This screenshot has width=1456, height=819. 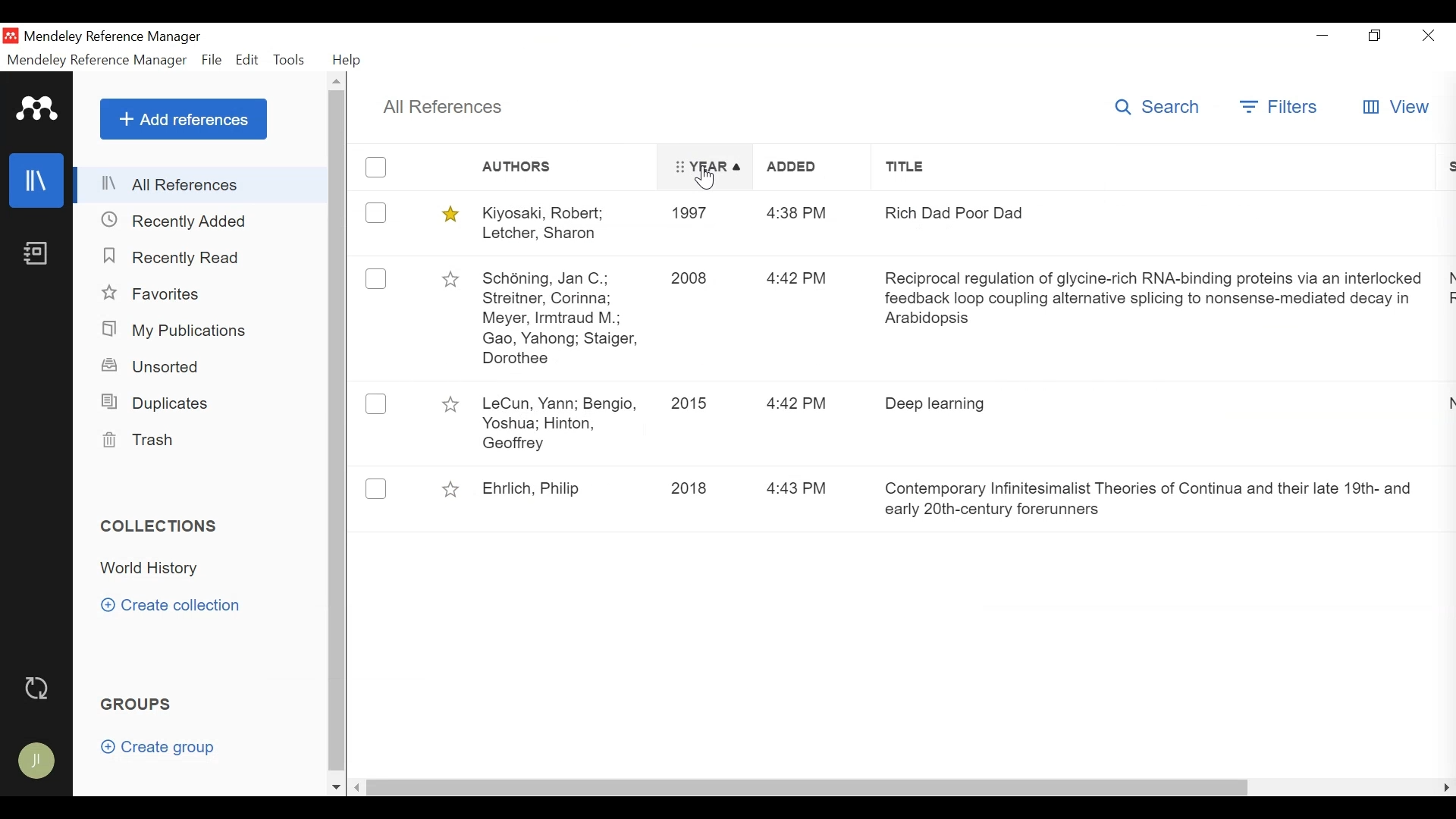 What do you see at coordinates (202, 185) in the screenshot?
I see `All References` at bounding box center [202, 185].